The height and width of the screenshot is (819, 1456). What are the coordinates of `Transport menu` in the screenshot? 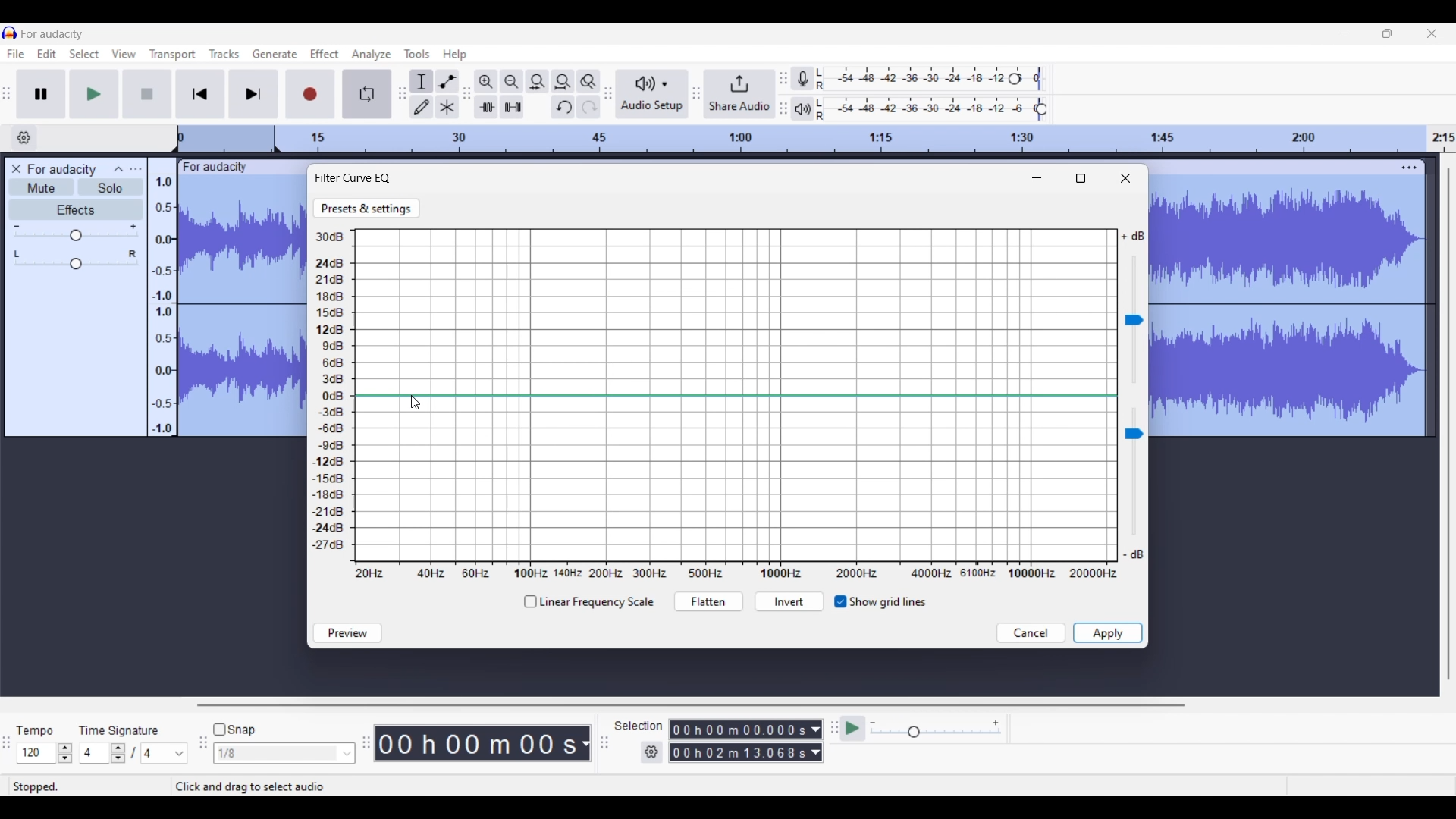 It's located at (172, 55).